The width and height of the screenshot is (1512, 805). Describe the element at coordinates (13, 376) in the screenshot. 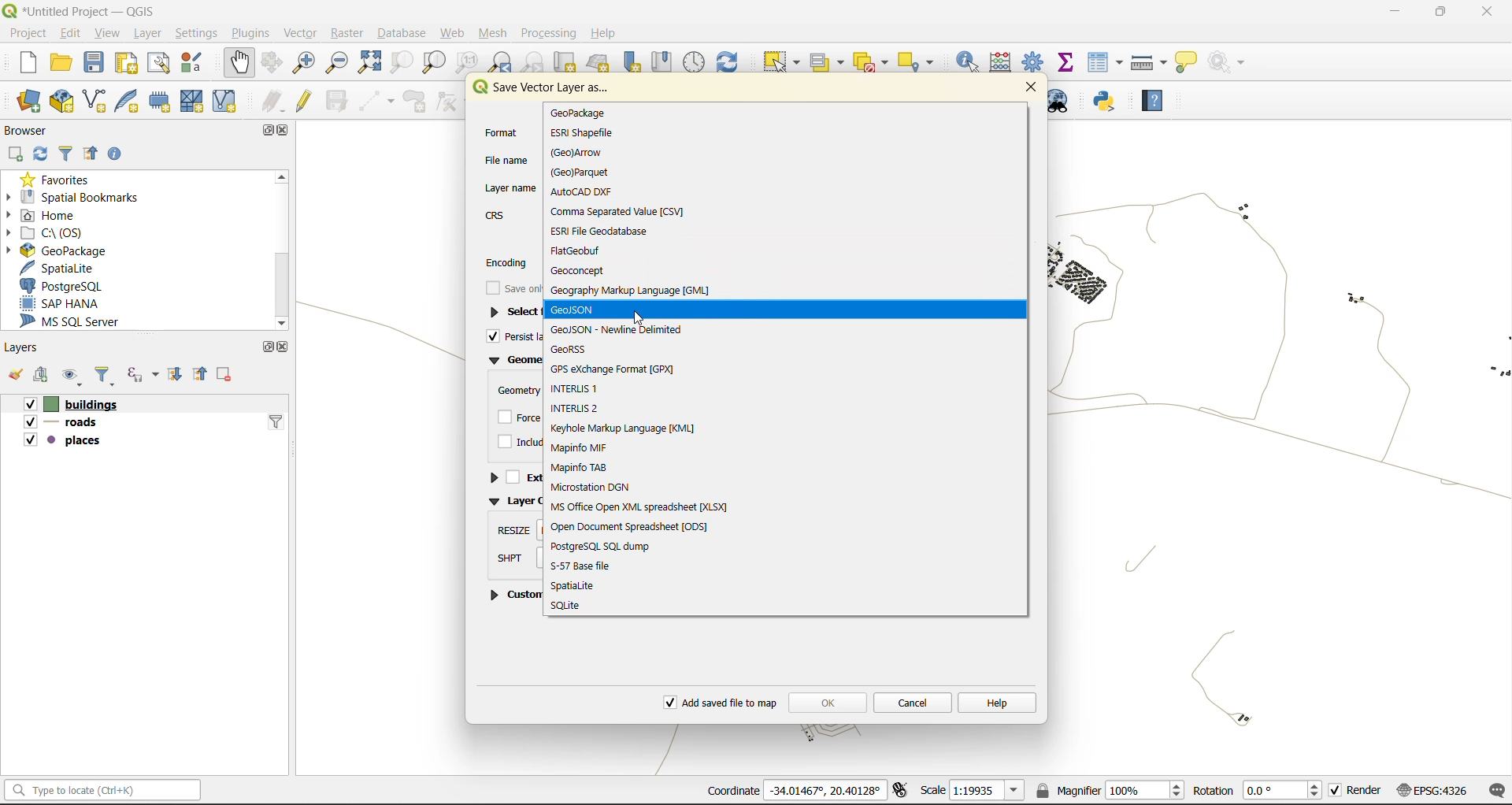

I see `open` at that location.